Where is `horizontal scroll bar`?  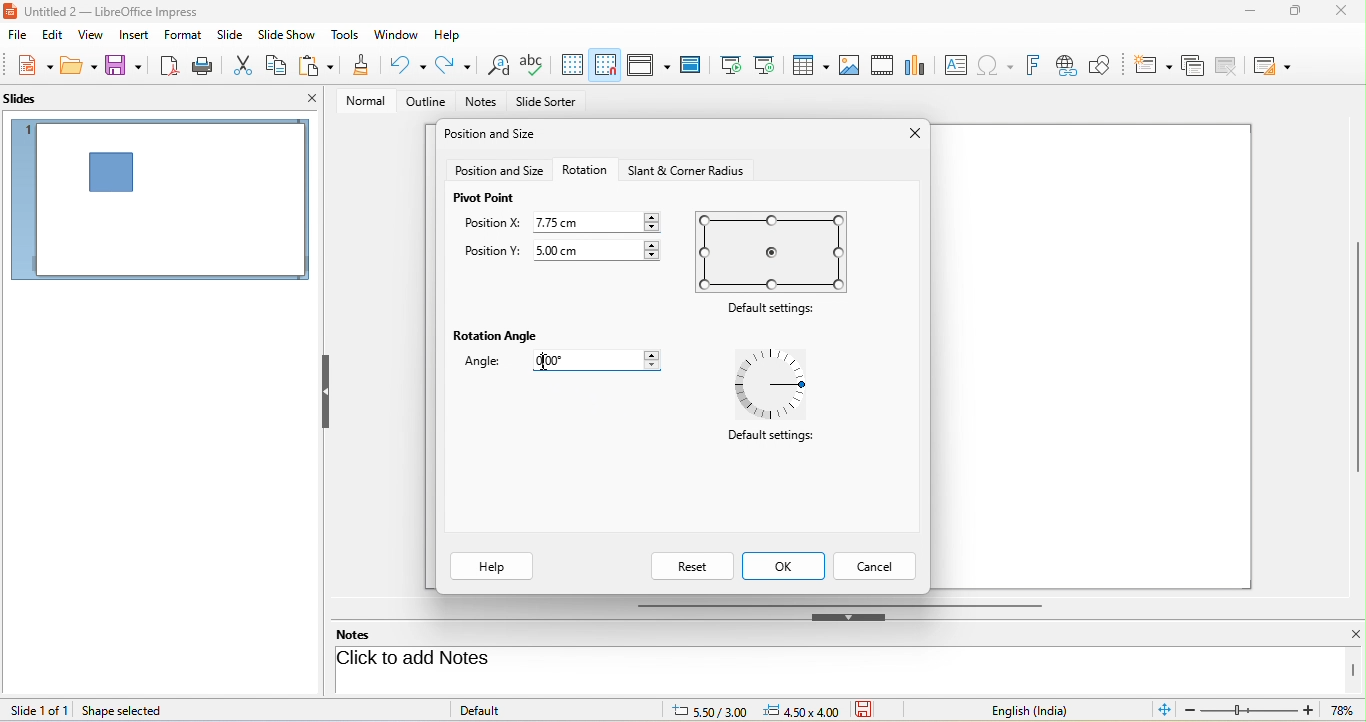
horizontal scroll bar is located at coordinates (839, 604).